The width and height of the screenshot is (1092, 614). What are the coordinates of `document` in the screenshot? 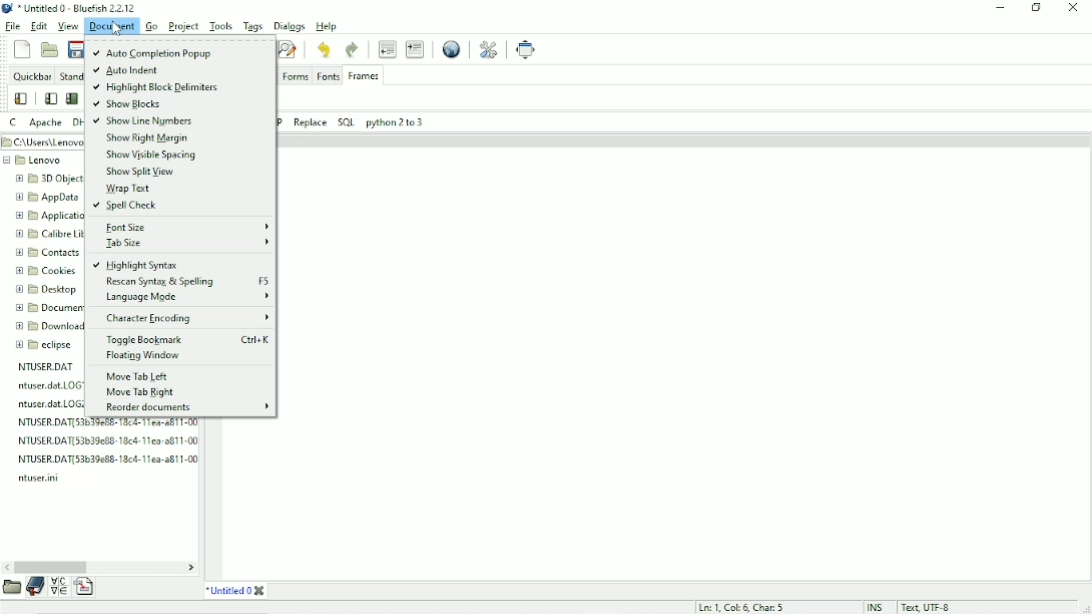 It's located at (113, 27).